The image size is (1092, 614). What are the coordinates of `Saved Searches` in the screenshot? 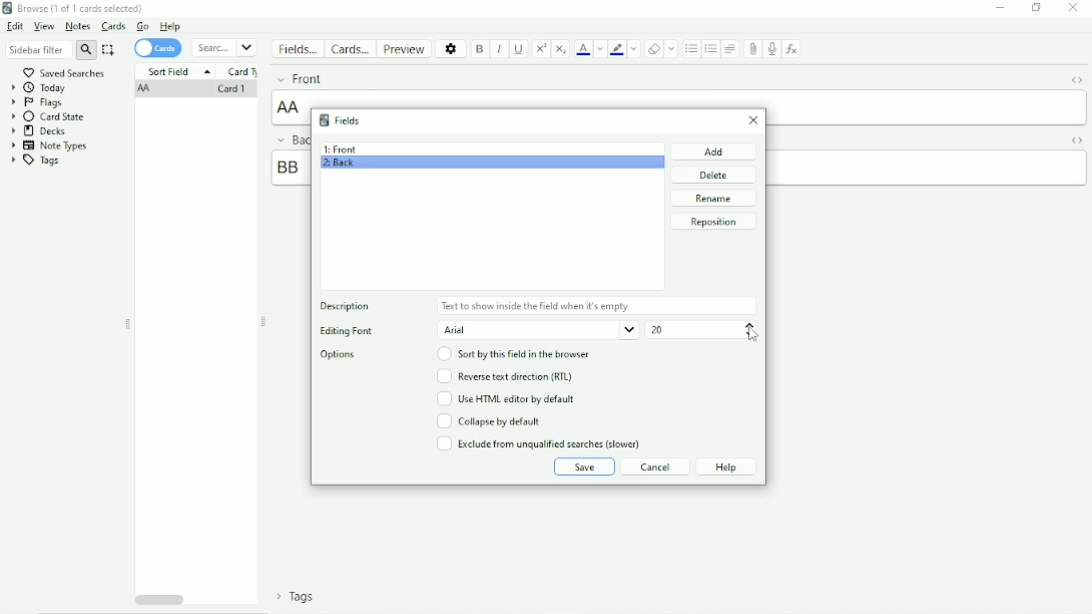 It's located at (66, 72).